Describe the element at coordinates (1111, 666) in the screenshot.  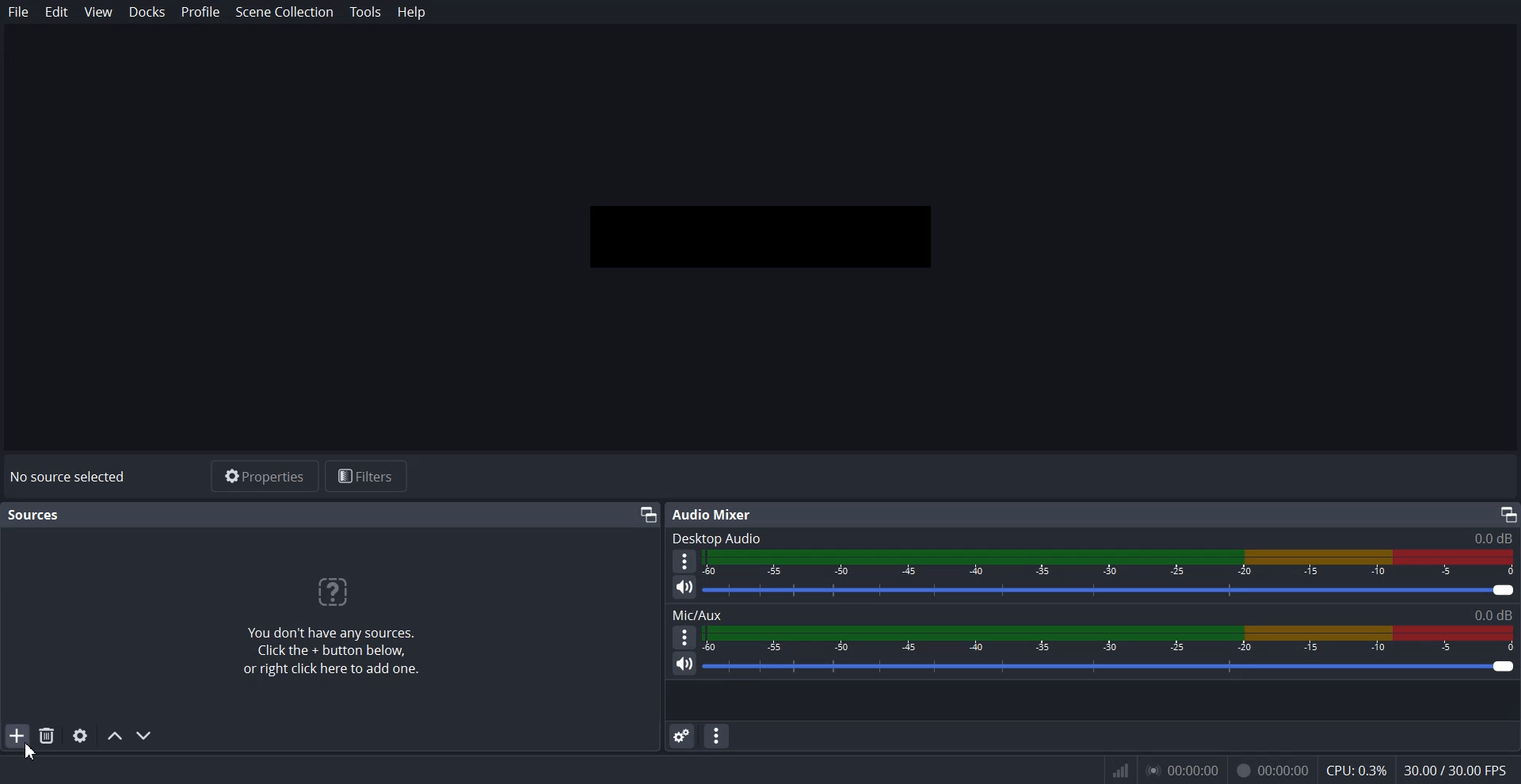
I see `Volume level adjuster` at that location.